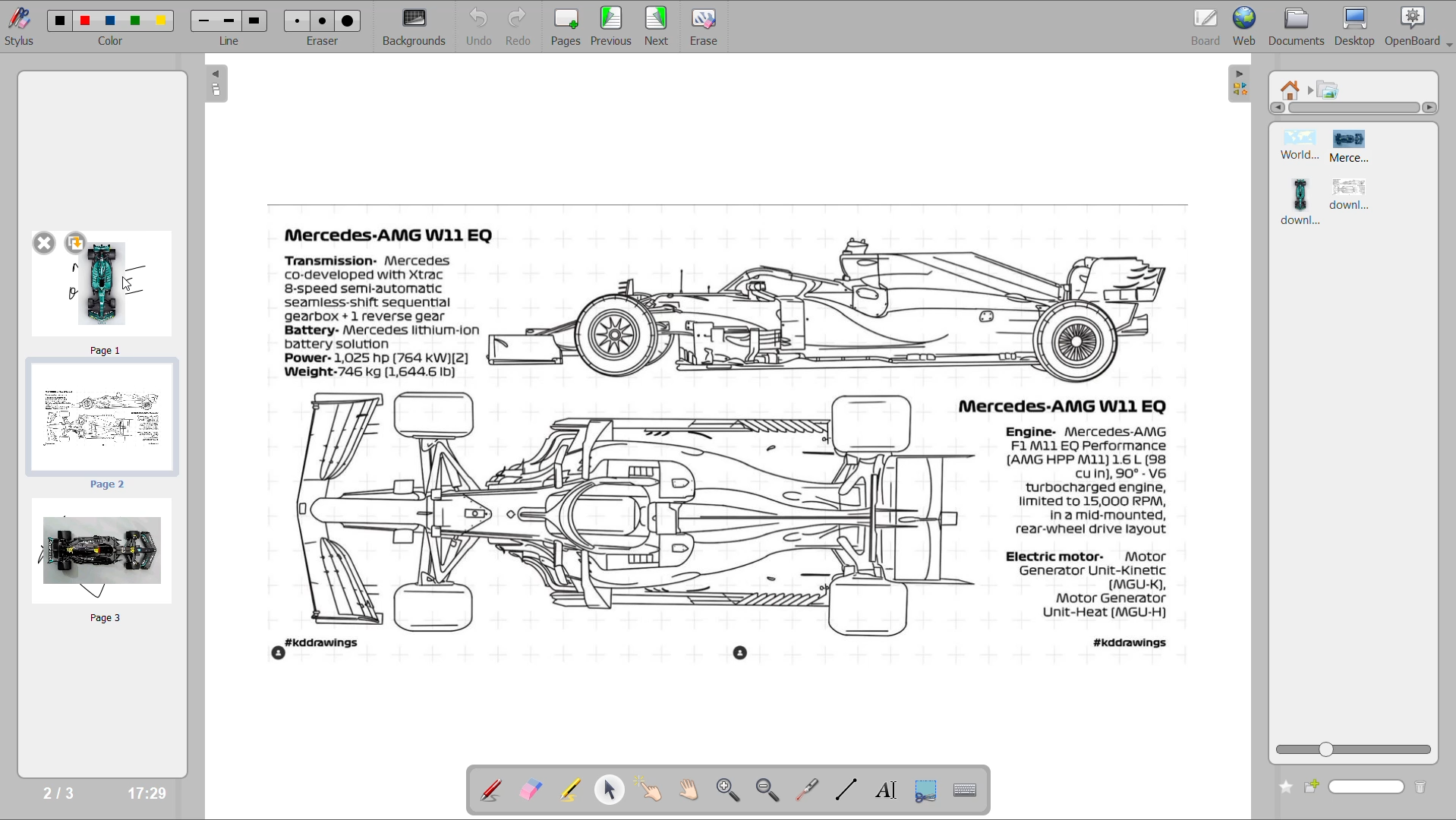 This screenshot has height=820, width=1456. What do you see at coordinates (1297, 147) in the screenshot?
I see `image 1` at bounding box center [1297, 147].